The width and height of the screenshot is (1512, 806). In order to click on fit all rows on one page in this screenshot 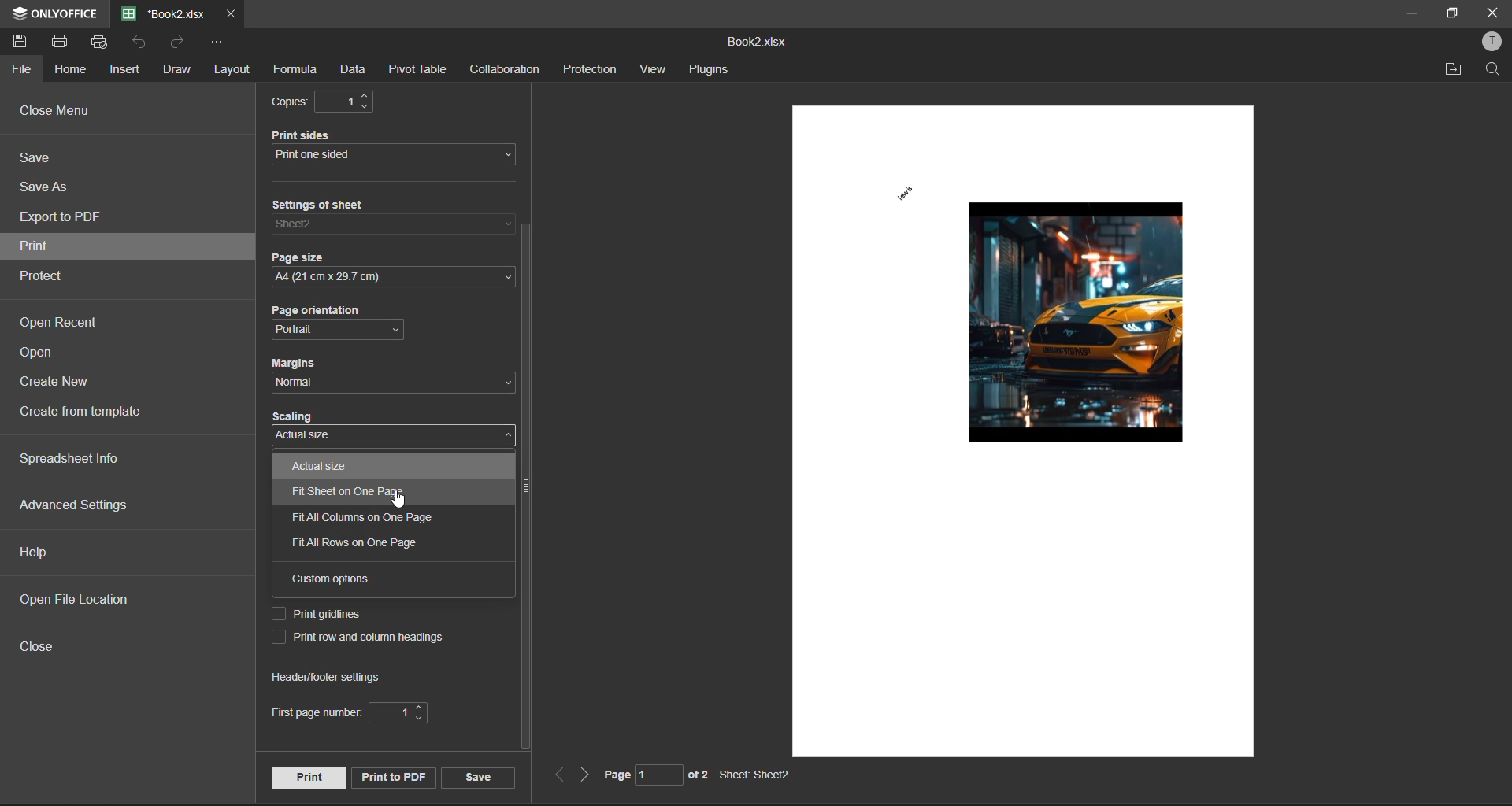, I will do `click(362, 544)`.